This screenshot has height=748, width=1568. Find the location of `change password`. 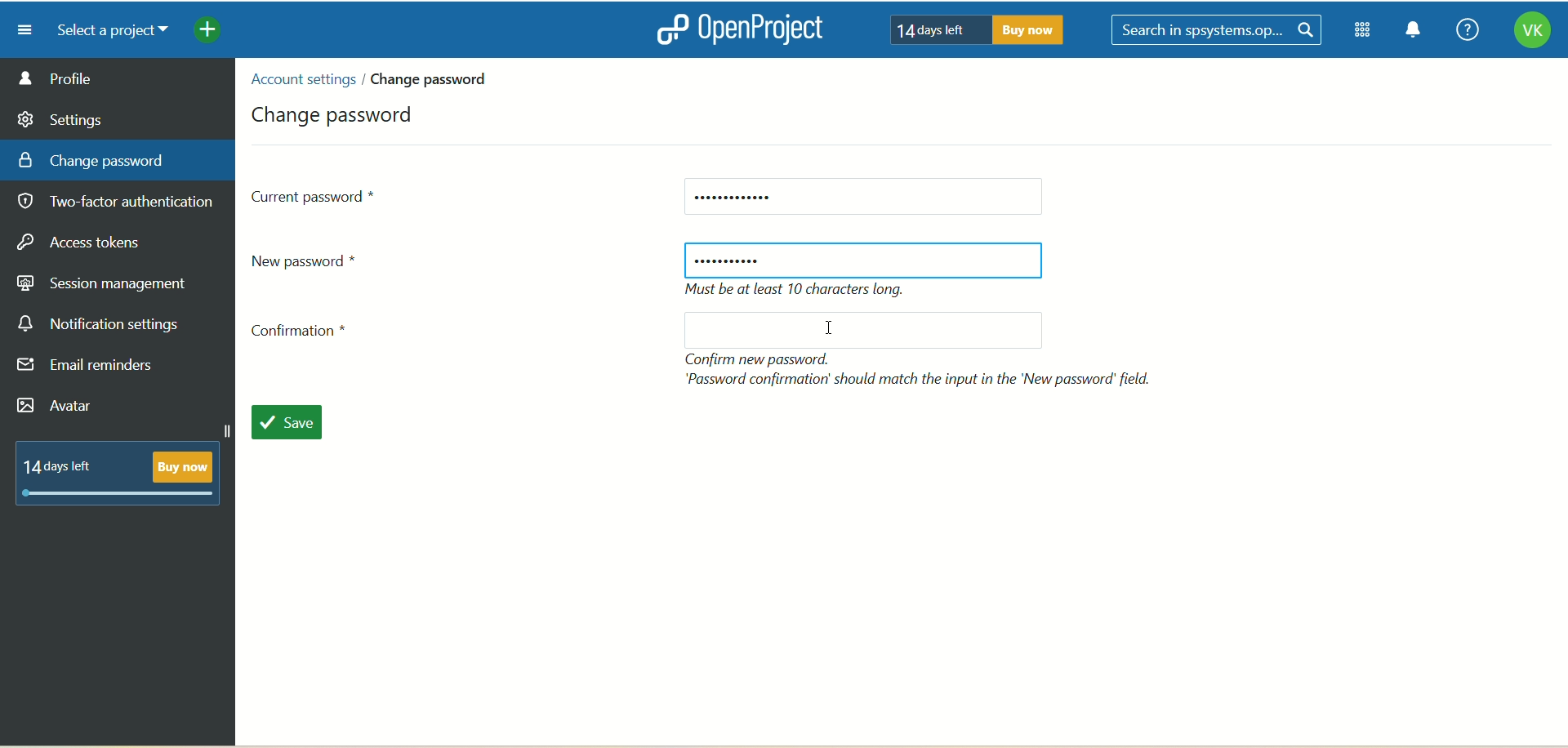

change password is located at coordinates (336, 112).